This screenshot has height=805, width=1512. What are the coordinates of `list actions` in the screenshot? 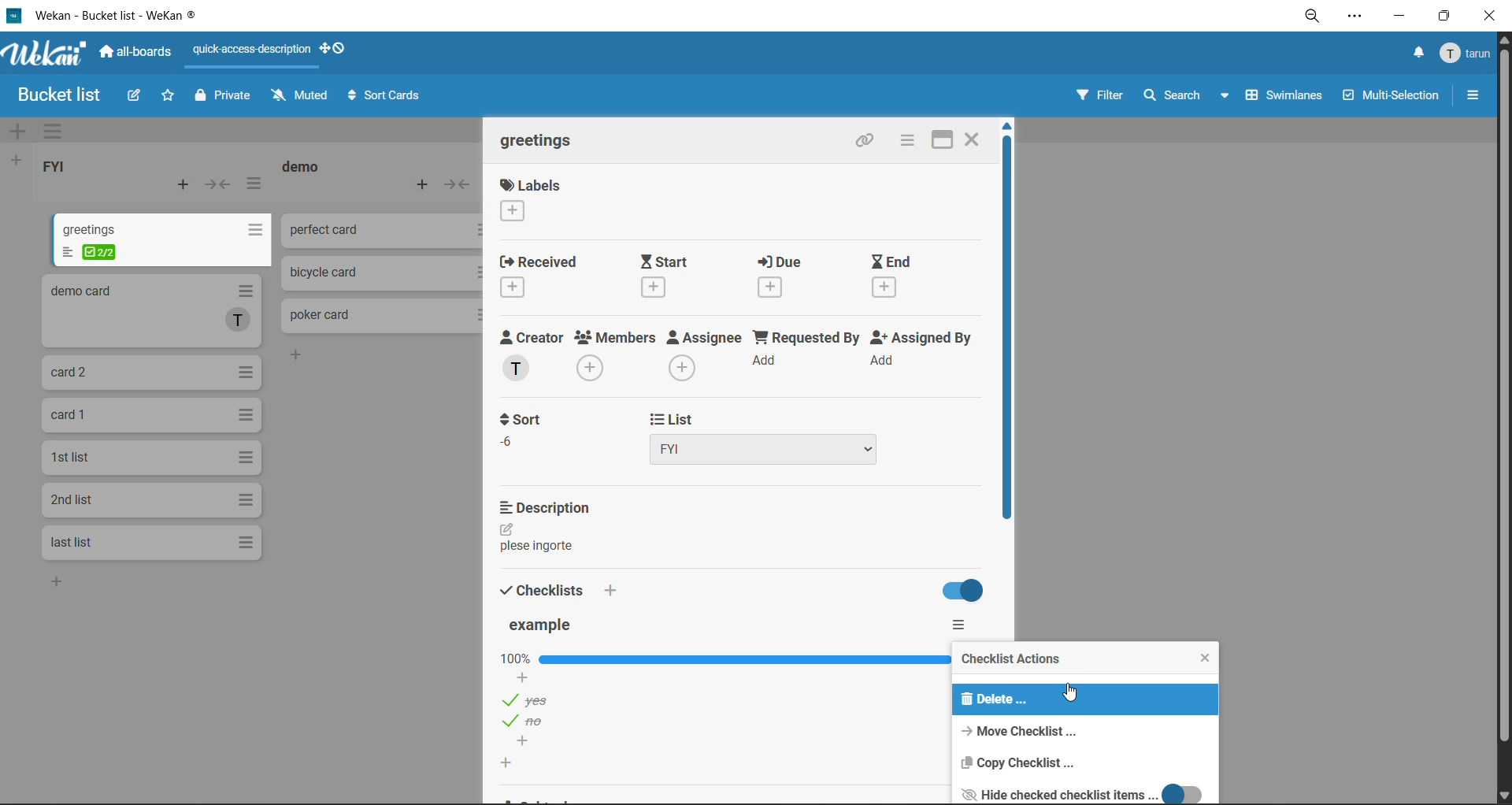 It's located at (256, 187).